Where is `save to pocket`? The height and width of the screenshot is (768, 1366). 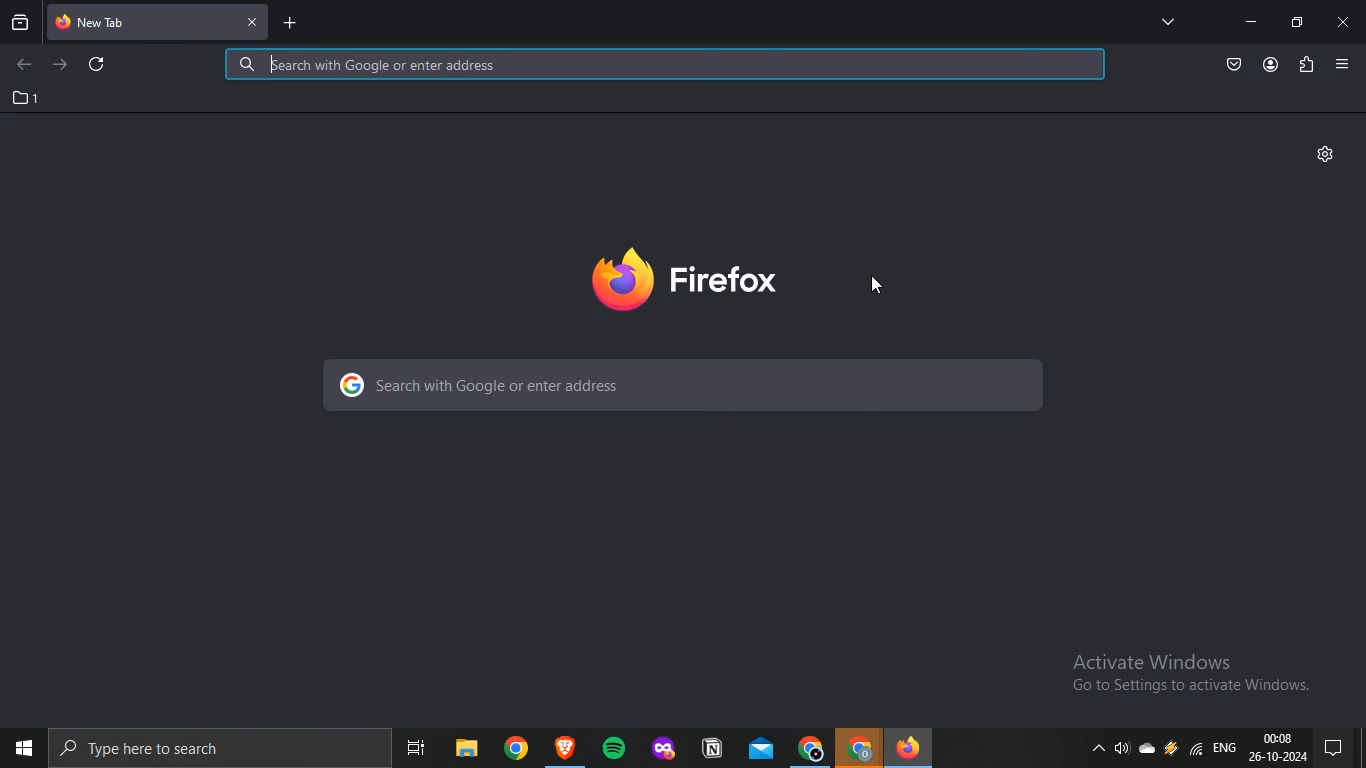
save to pocket is located at coordinates (1235, 66).